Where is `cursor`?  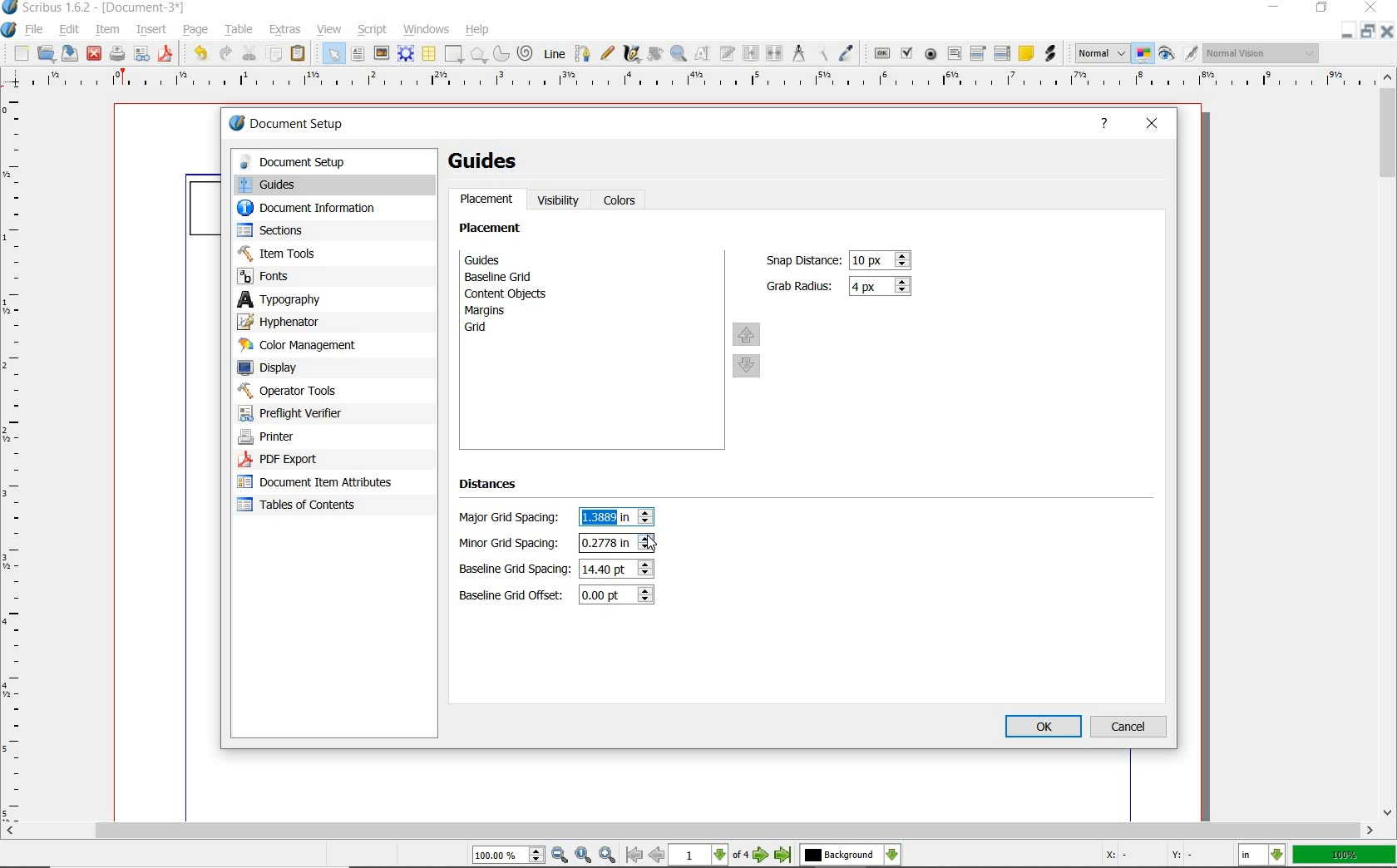
cursor is located at coordinates (653, 542).